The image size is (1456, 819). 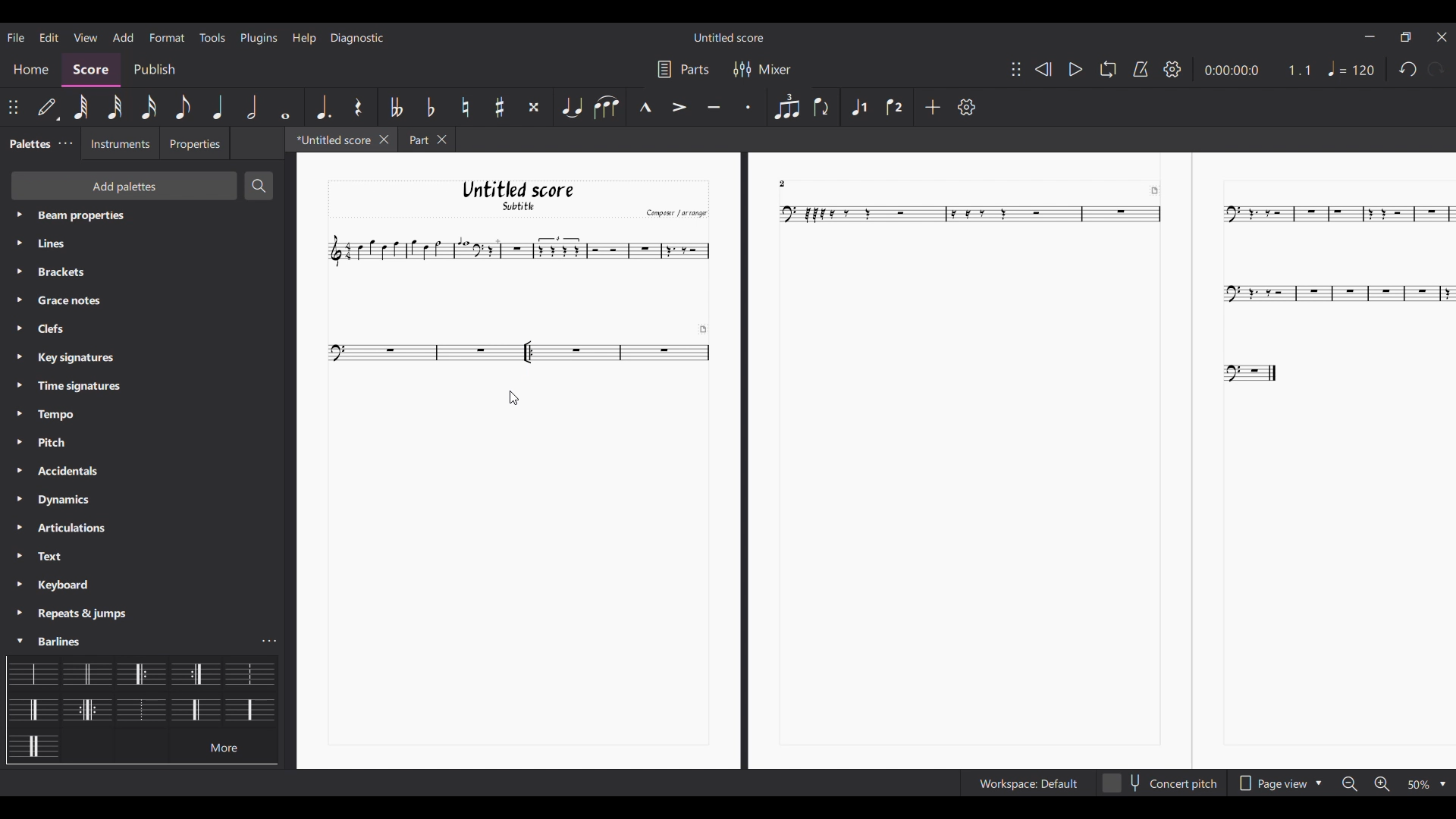 What do you see at coordinates (82, 108) in the screenshot?
I see `64th note` at bounding box center [82, 108].